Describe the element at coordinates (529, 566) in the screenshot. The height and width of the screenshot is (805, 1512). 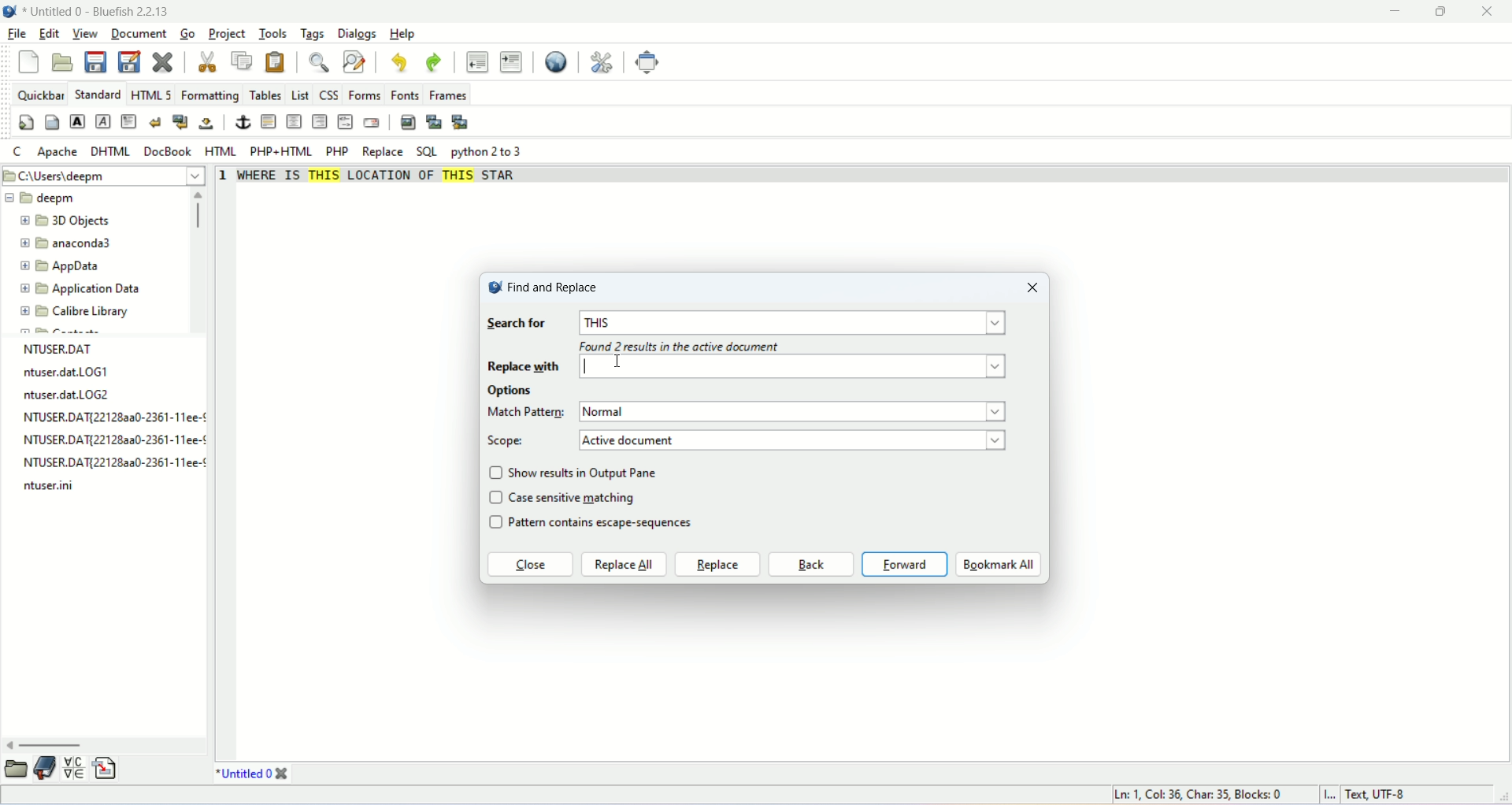
I see `close` at that location.